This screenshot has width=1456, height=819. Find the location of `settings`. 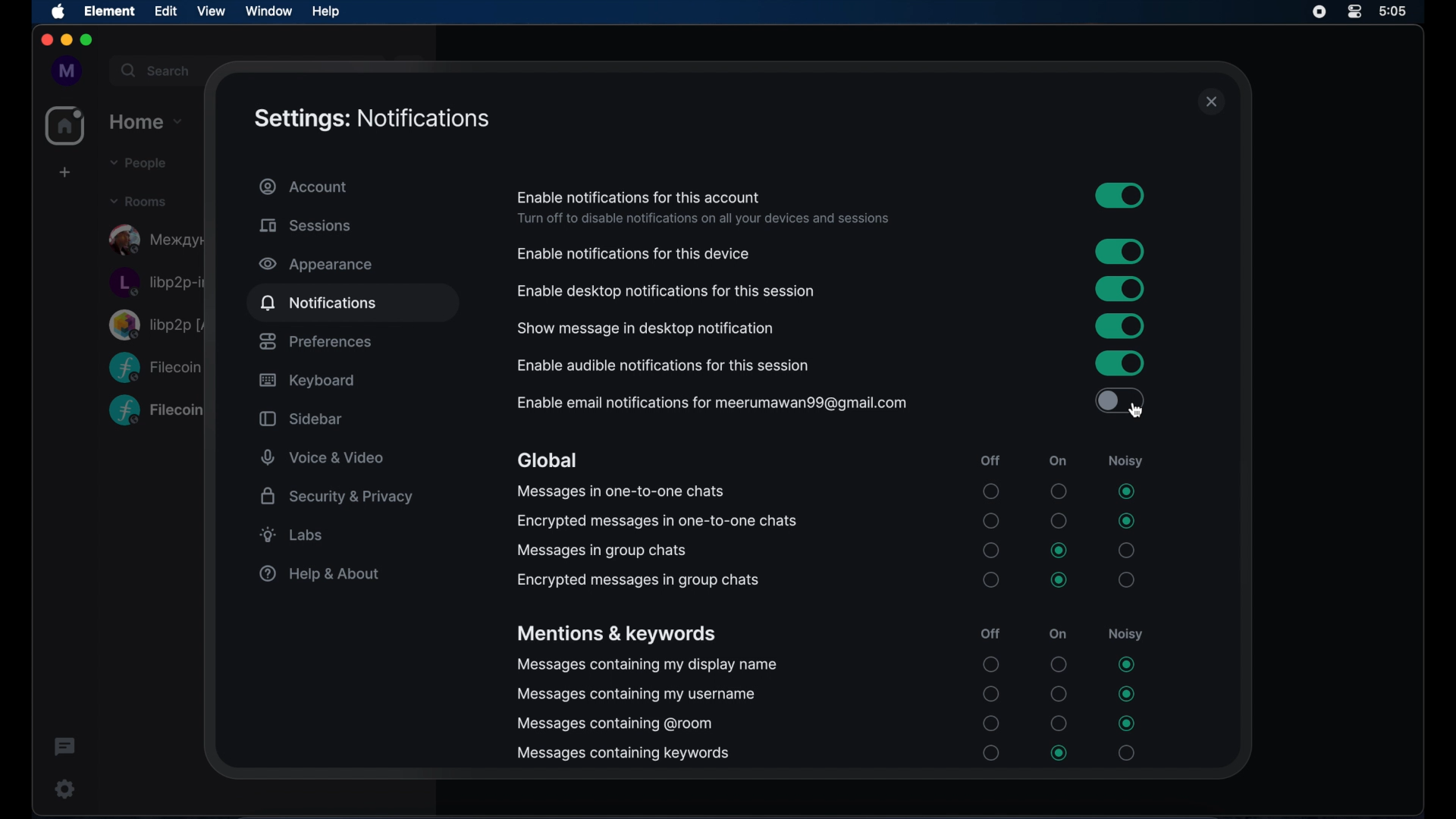

settings is located at coordinates (61, 789).